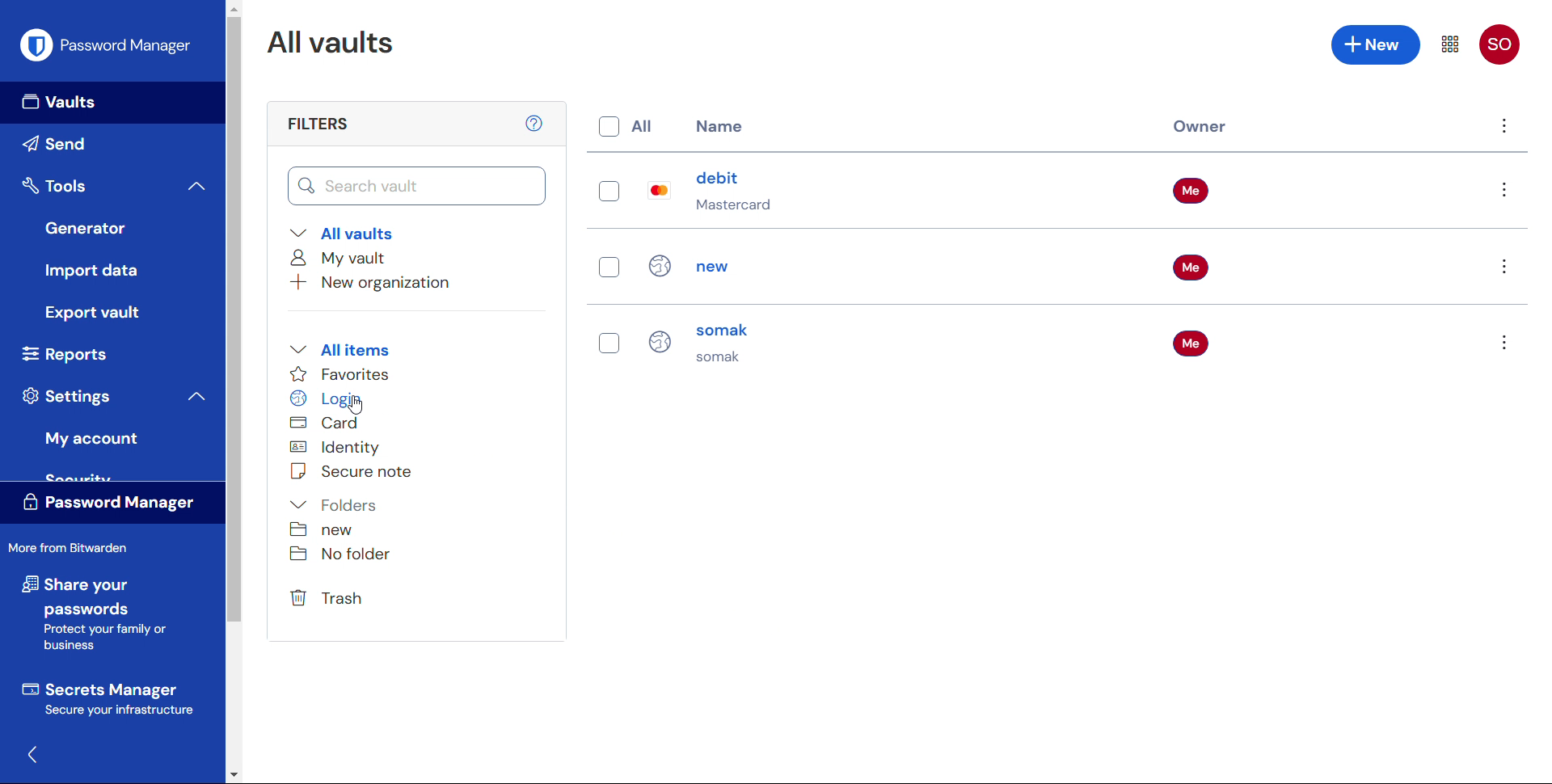 This screenshot has height=784, width=1552. I want to click on Identity , so click(332, 447).